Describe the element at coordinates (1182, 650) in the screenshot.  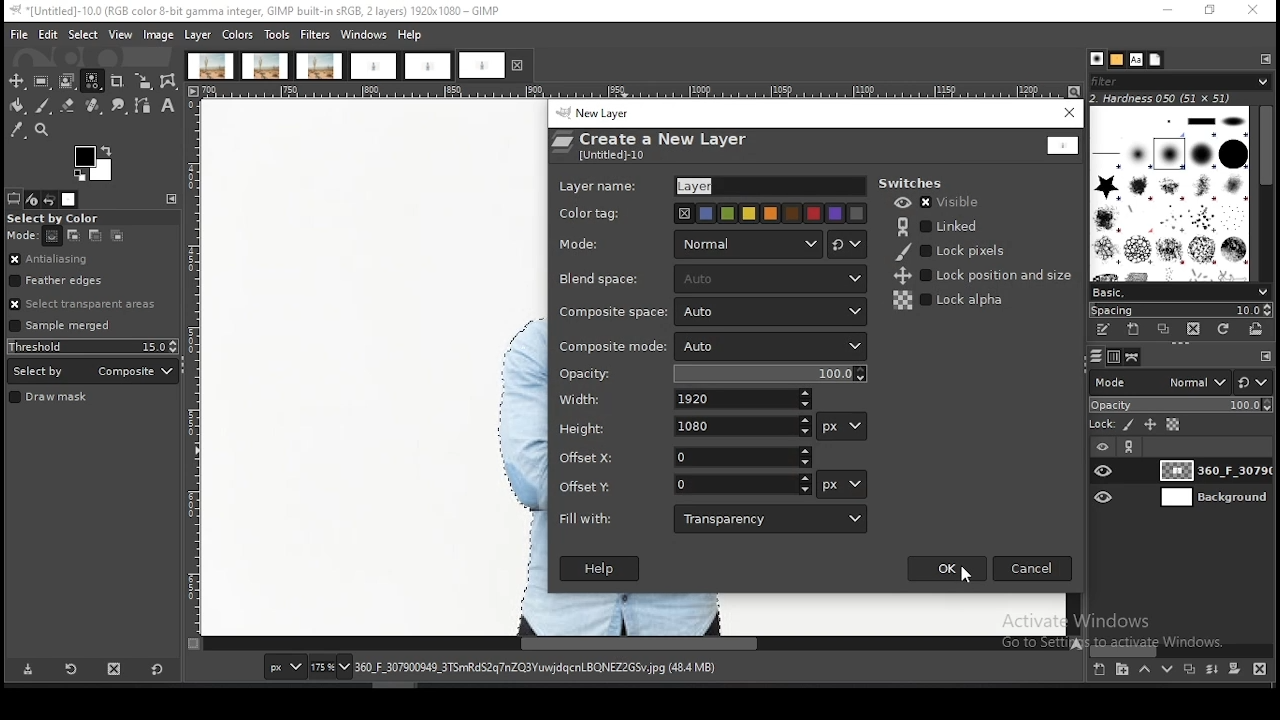
I see `scroll bar` at that location.